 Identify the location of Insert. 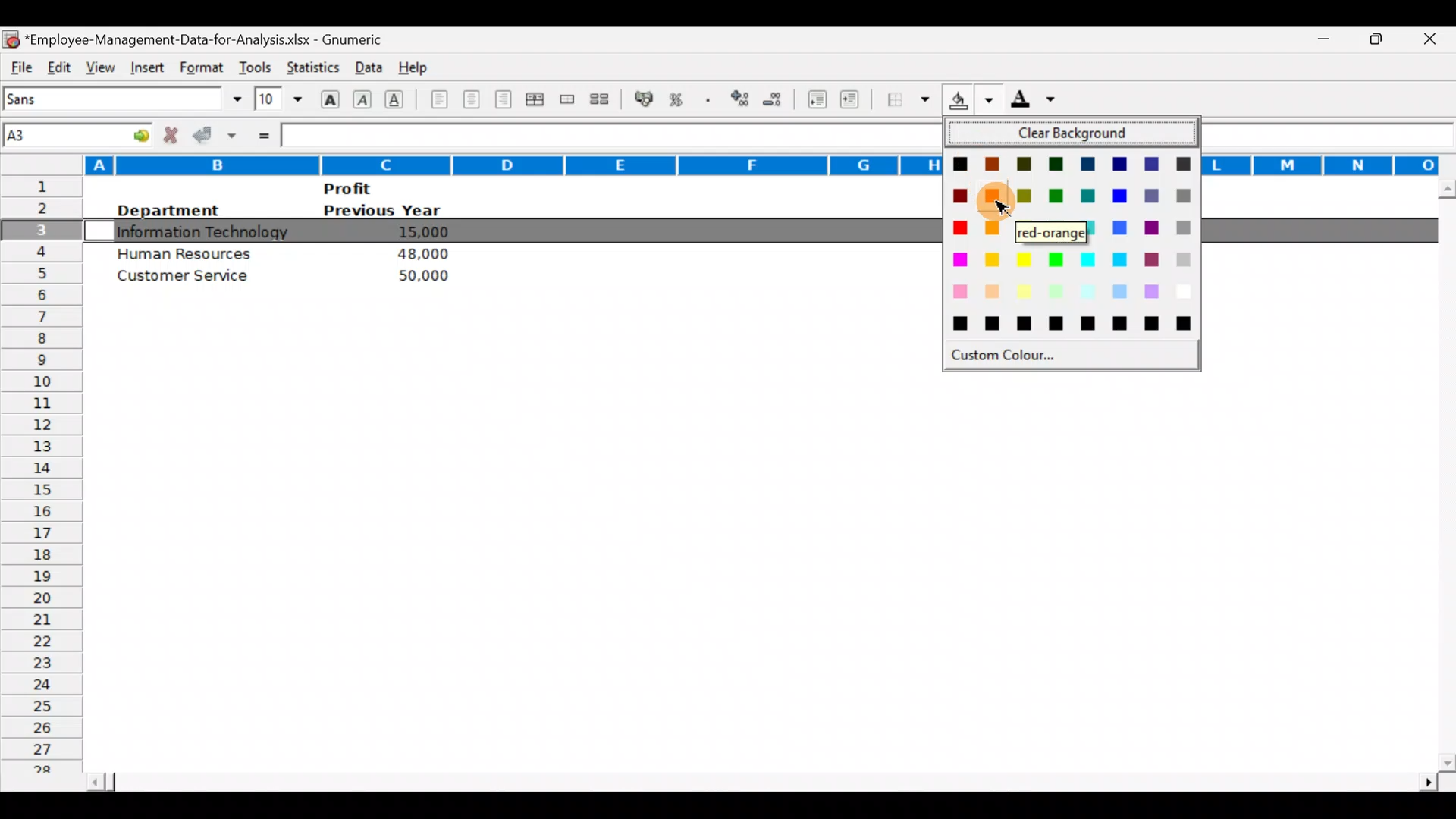
(145, 65).